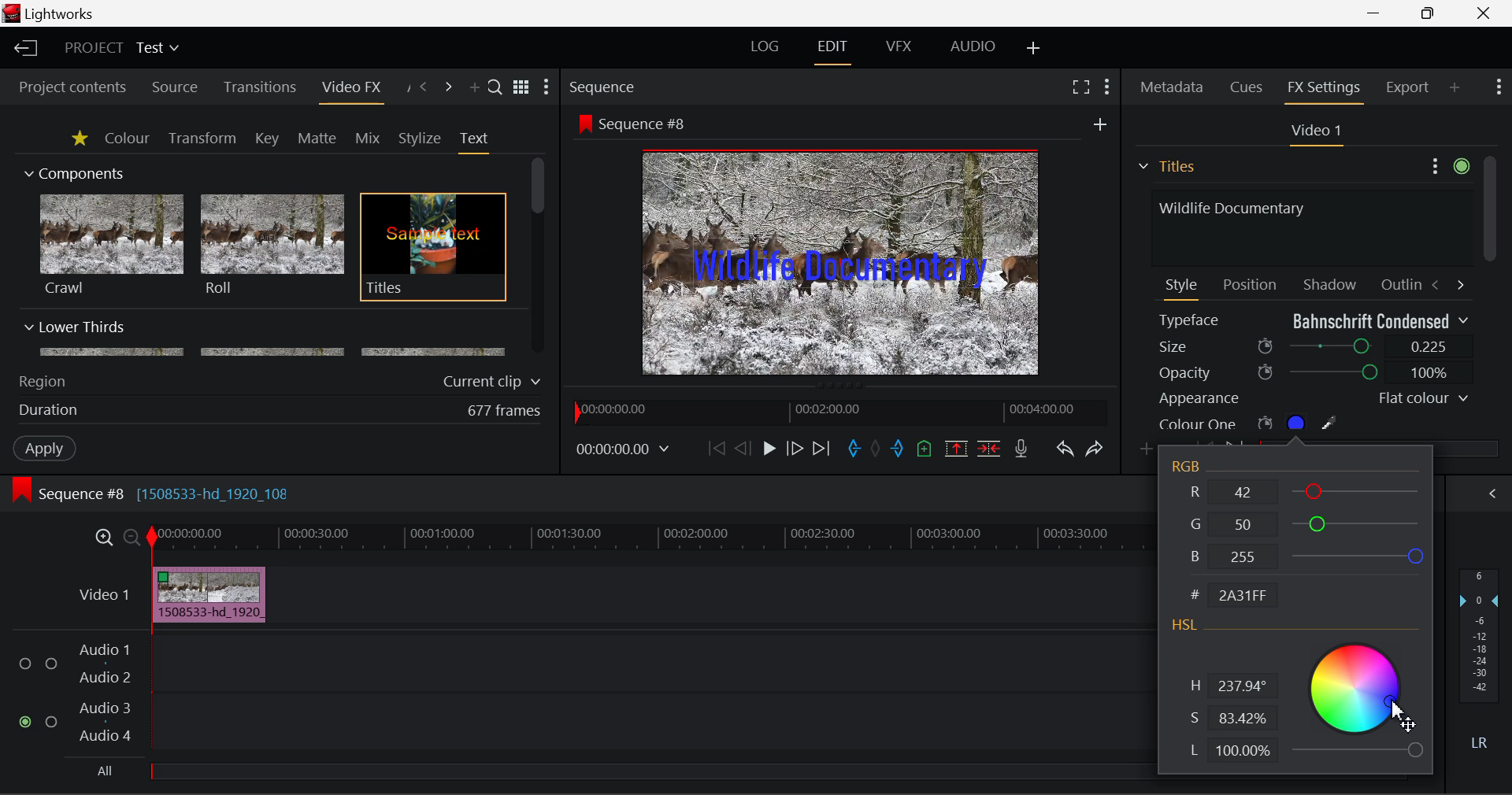 The height and width of the screenshot is (795, 1512). I want to click on Add Layout, so click(1036, 50).